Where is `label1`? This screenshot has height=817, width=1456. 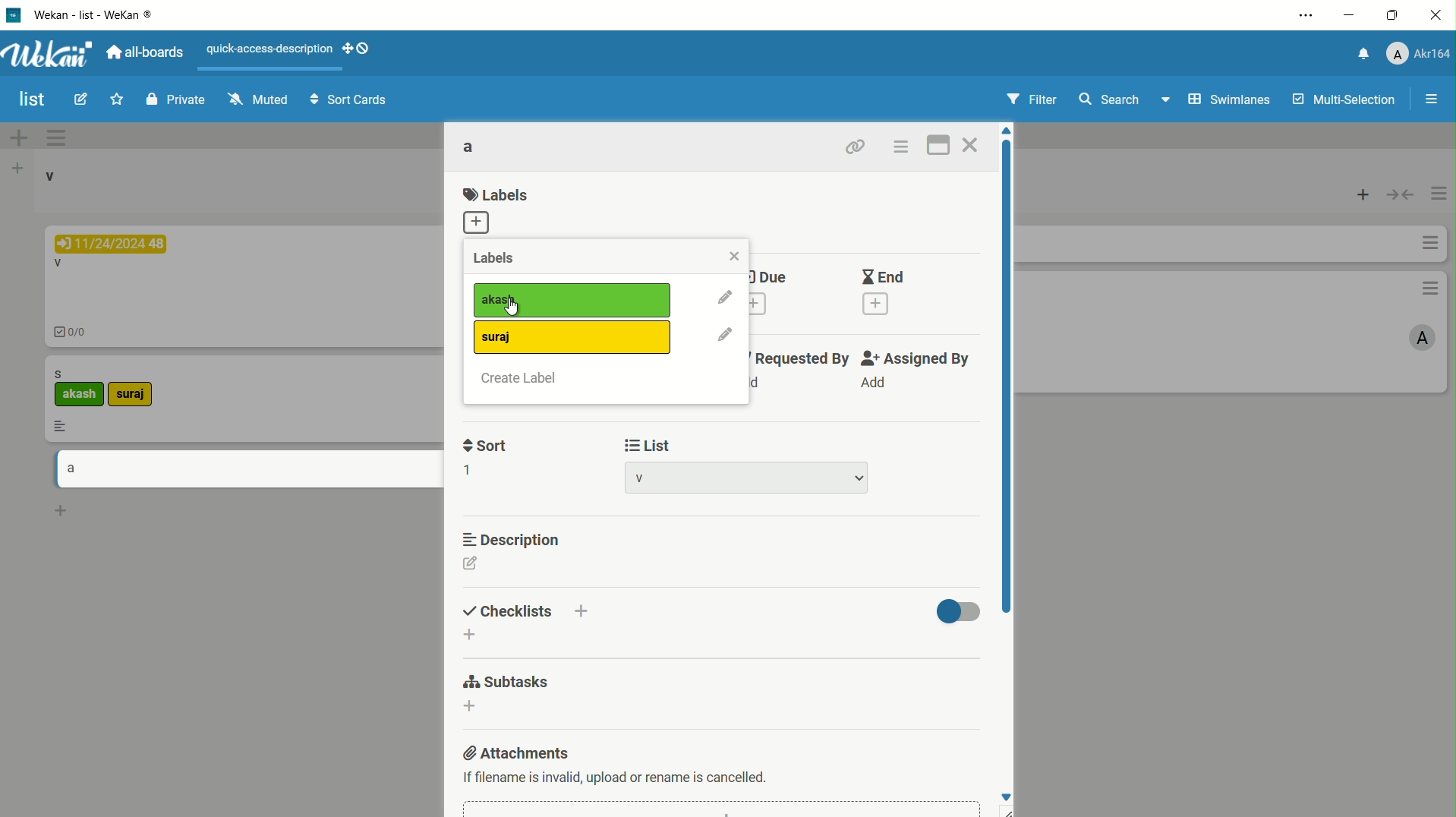
label1 is located at coordinates (498, 298).